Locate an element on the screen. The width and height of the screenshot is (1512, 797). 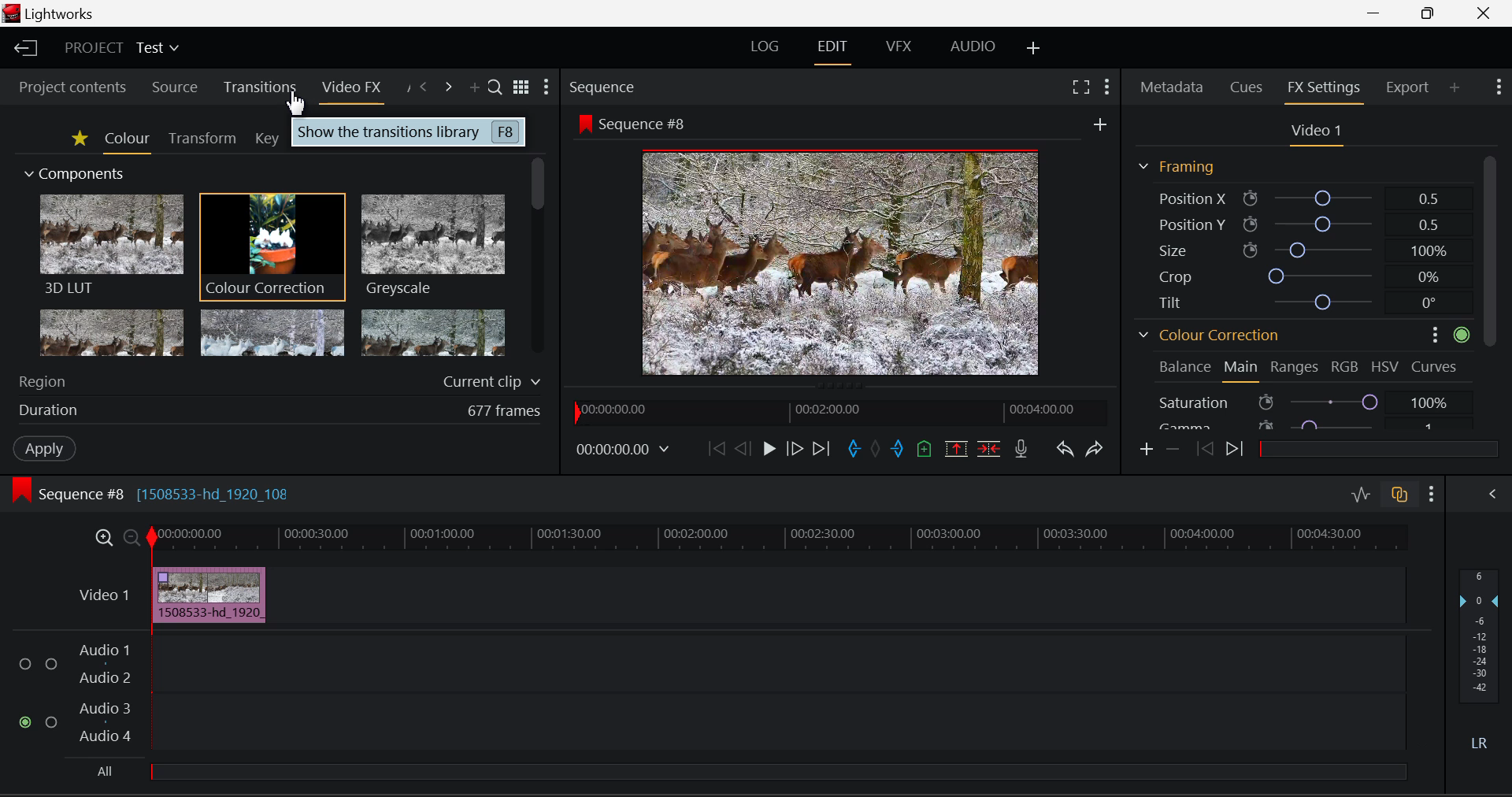
FX Settings Open is located at coordinates (1323, 89).